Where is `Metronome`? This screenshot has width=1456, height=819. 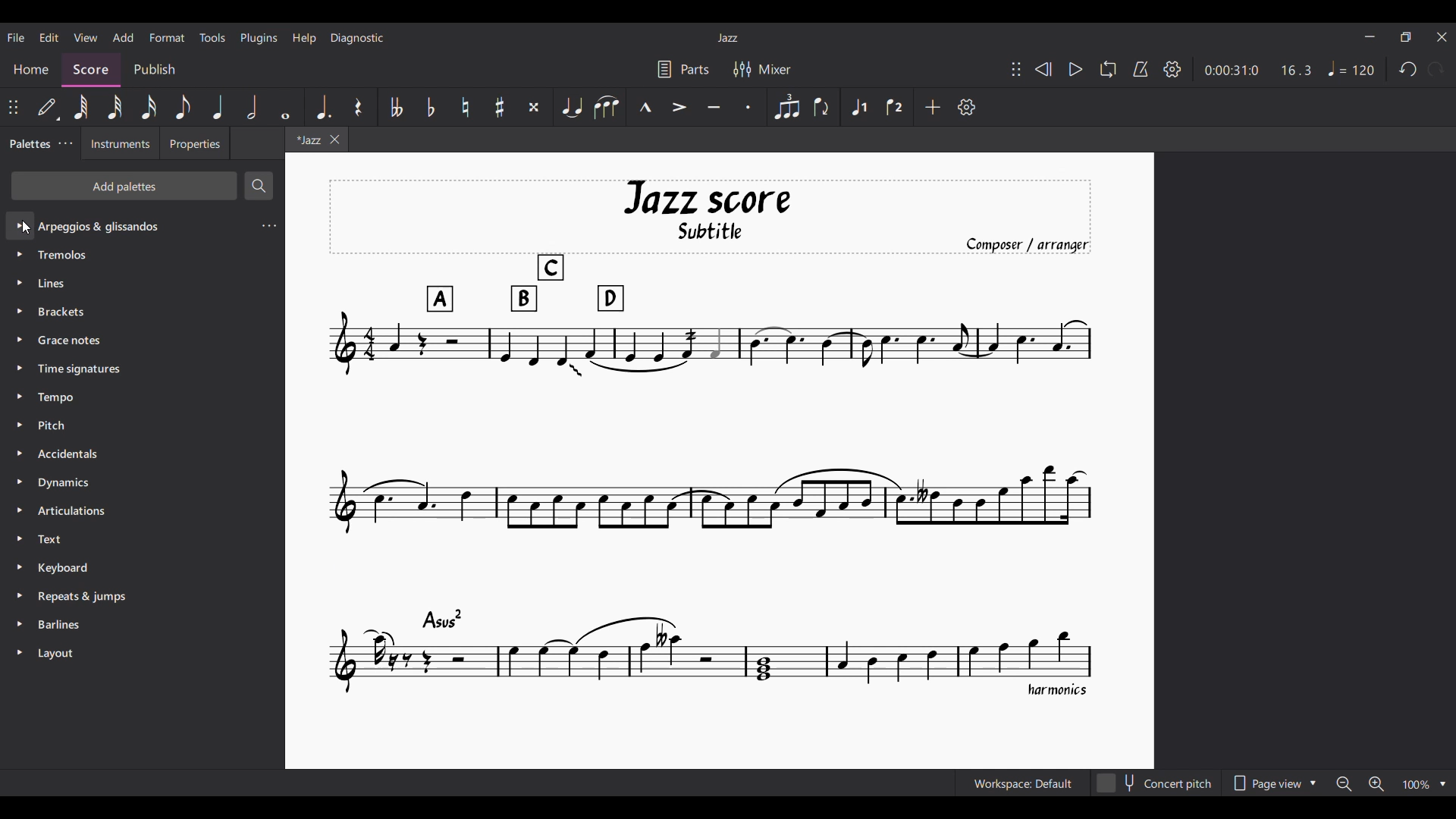 Metronome is located at coordinates (1141, 69).